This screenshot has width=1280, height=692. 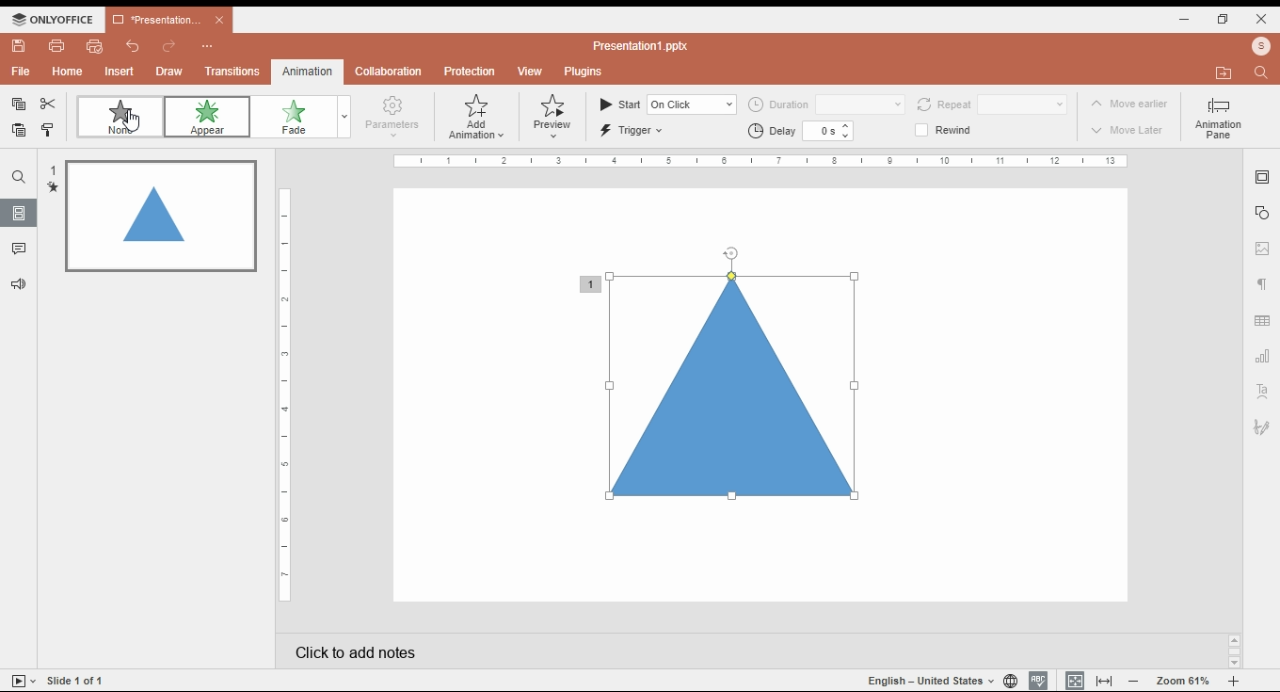 I want to click on move later, so click(x=1128, y=129).